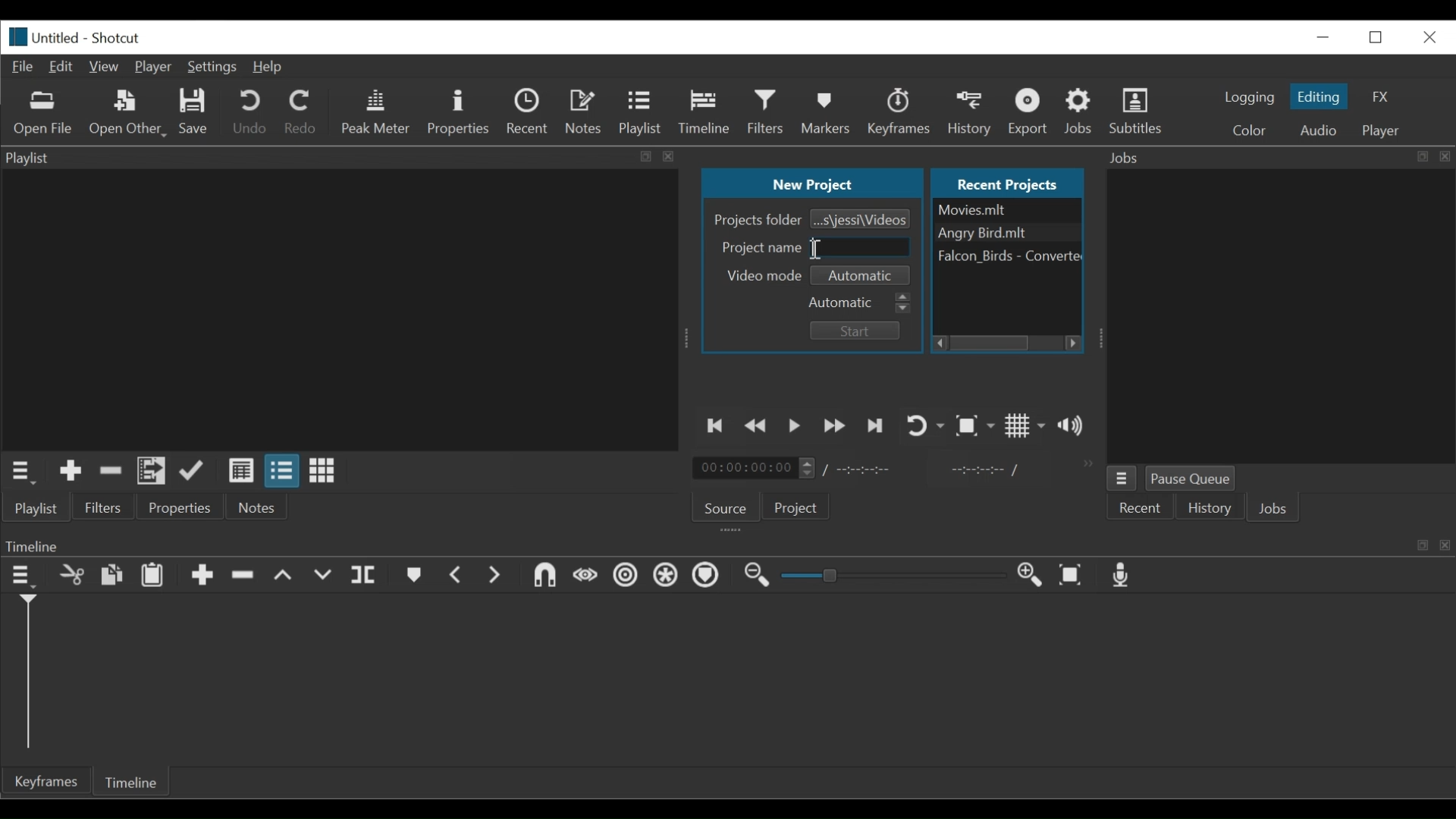 This screenshot has width=1456, height=819. Describe the element at coordinates (365, 574) in the screenshot. I see `Split at playhead` at that location.